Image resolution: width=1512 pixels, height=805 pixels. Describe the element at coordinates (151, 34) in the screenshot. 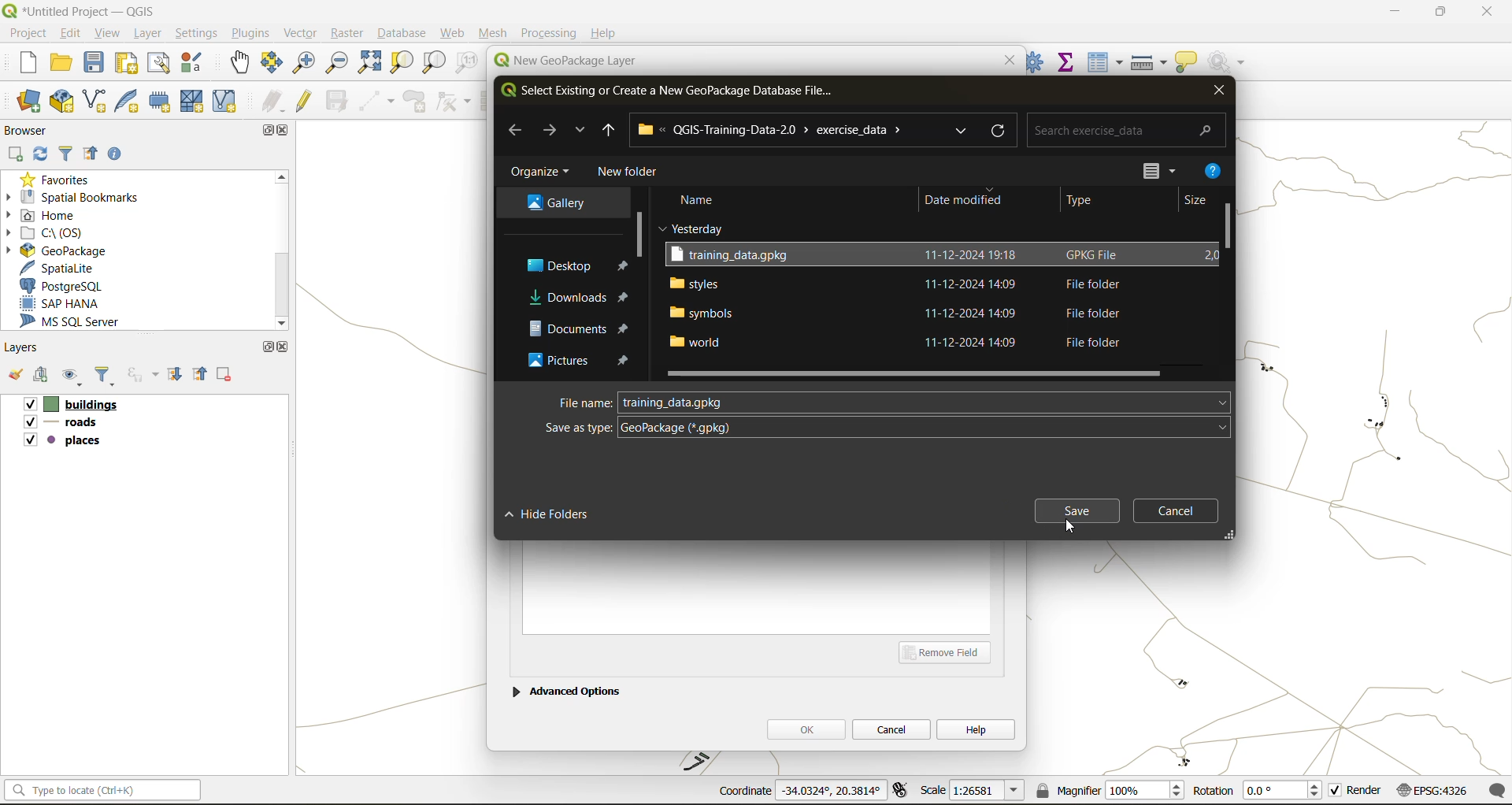

I see `layer` at that location.